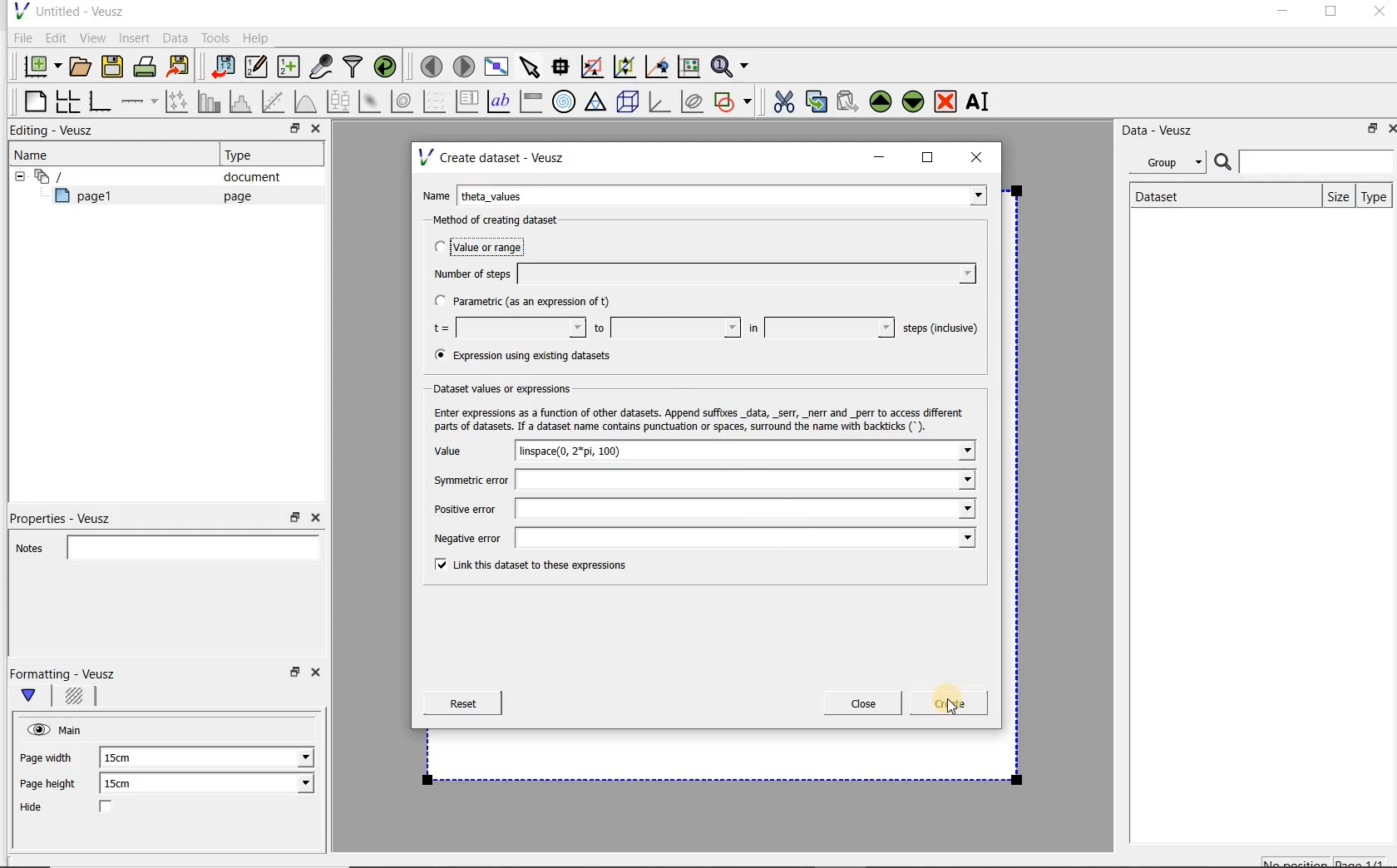 Image resolution: width=1397 pixels, height=868 pixels. What do you see at coordinates (243, 101) in the screenshot?
I see `histogram of a dataset` at bounding box center [243, 101].